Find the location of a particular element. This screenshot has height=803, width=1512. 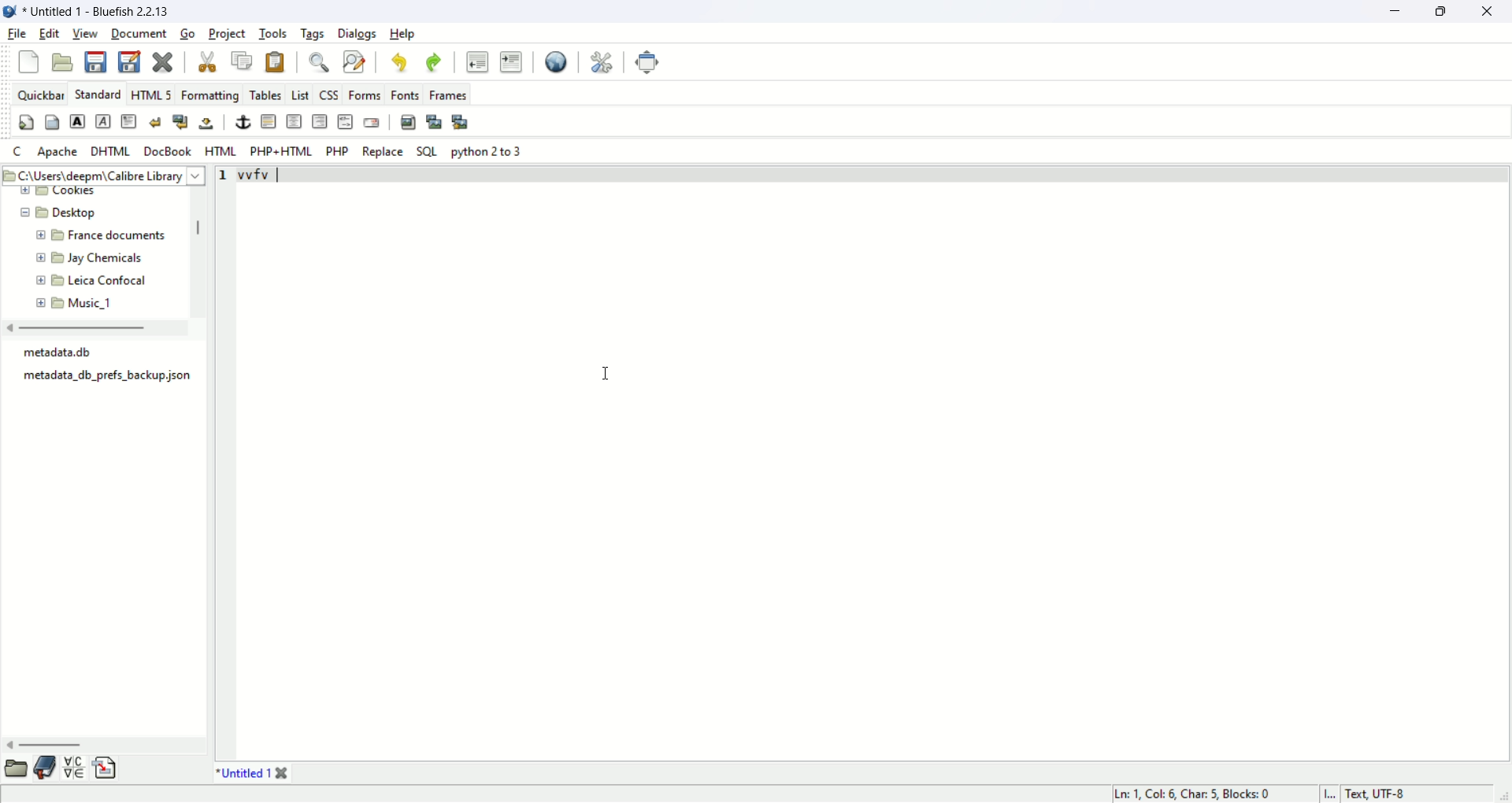

body is located at coordinates (54, 122).